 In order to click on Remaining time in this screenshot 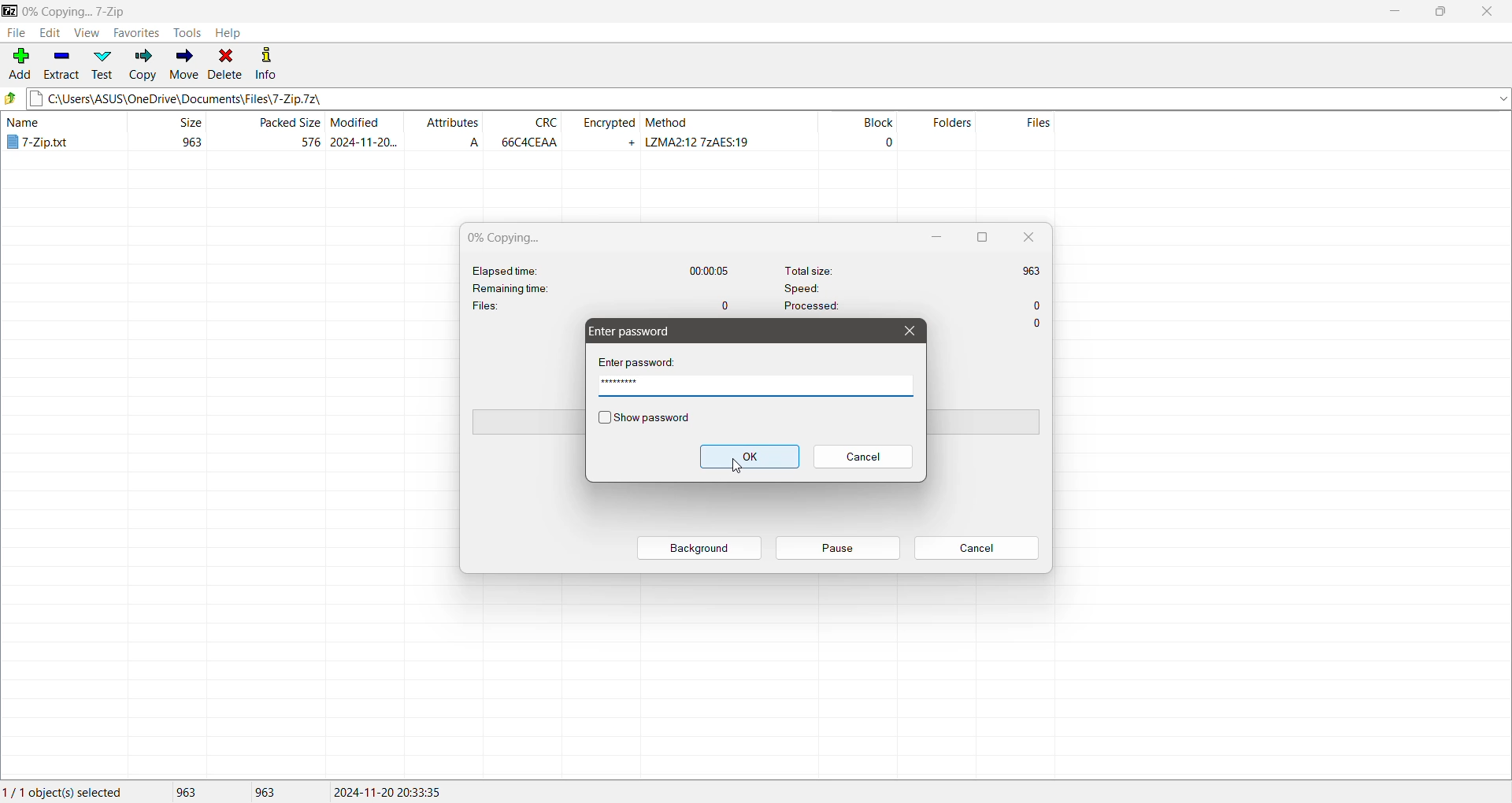, I will do `click(532, 288)`.